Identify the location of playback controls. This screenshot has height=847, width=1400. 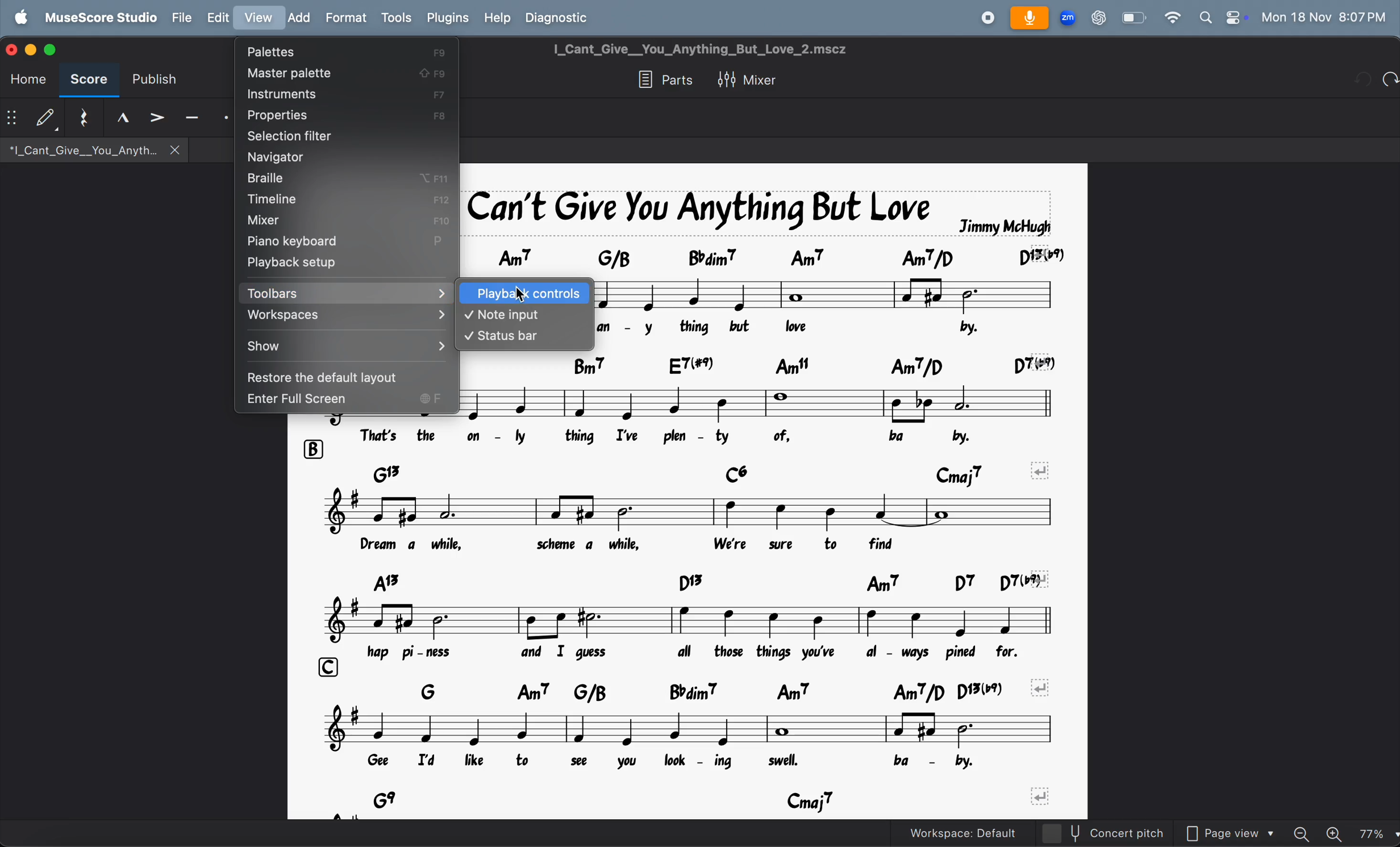
(526, 294).